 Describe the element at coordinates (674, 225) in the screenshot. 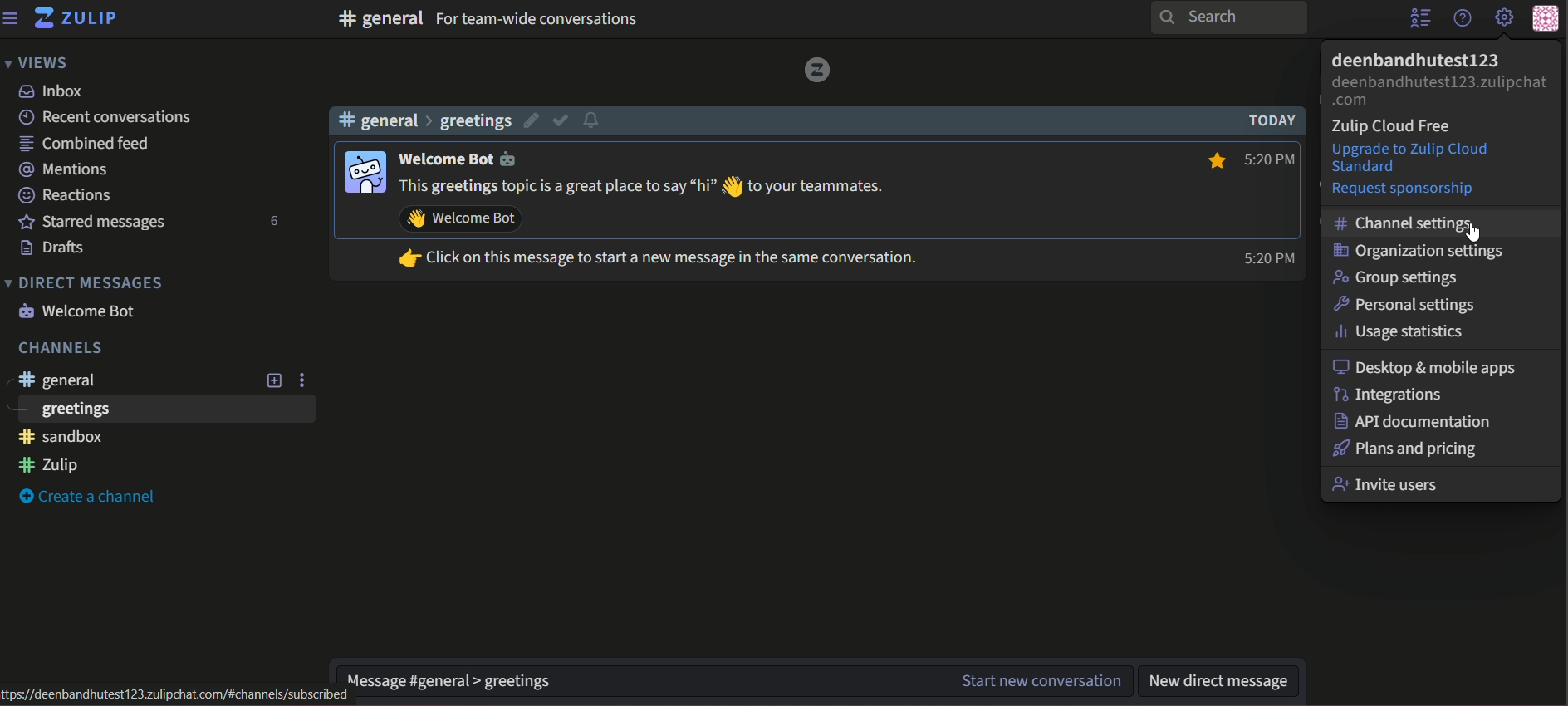

I see `message` at that location.